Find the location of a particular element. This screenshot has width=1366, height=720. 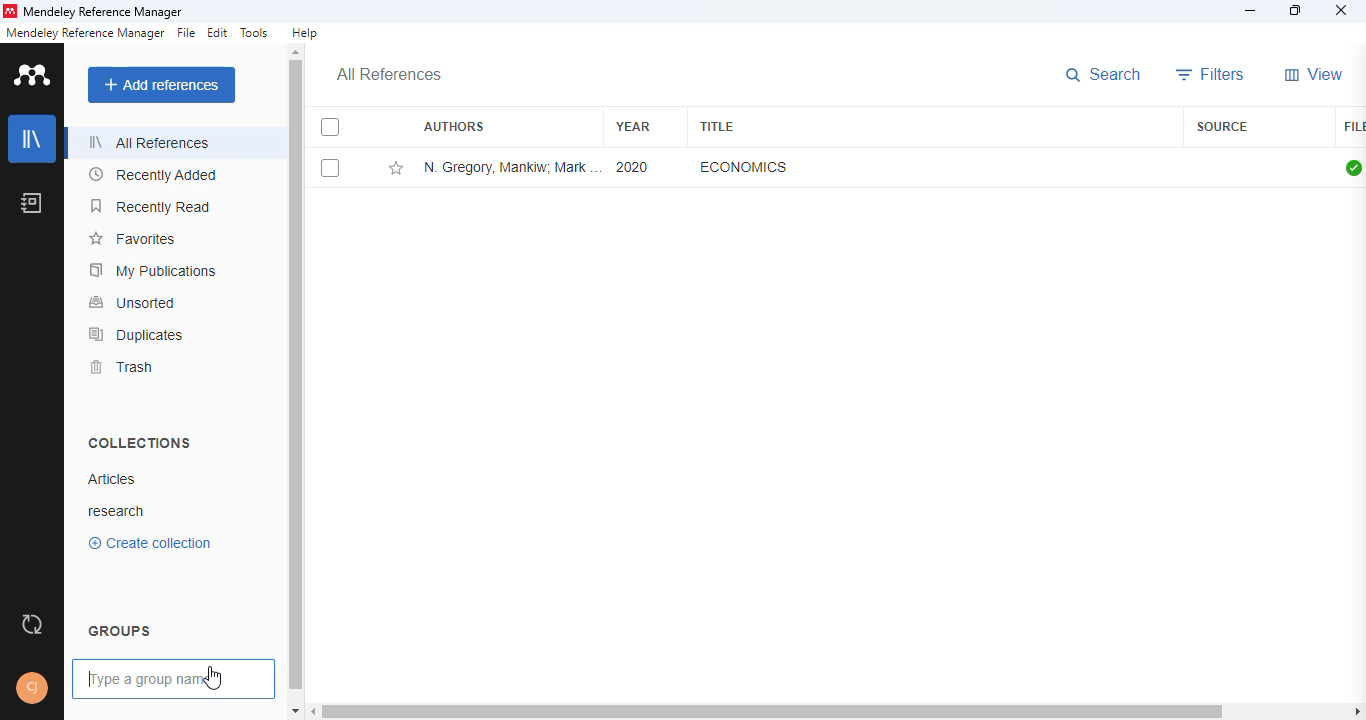

file is located at coordinates (1351, 126).